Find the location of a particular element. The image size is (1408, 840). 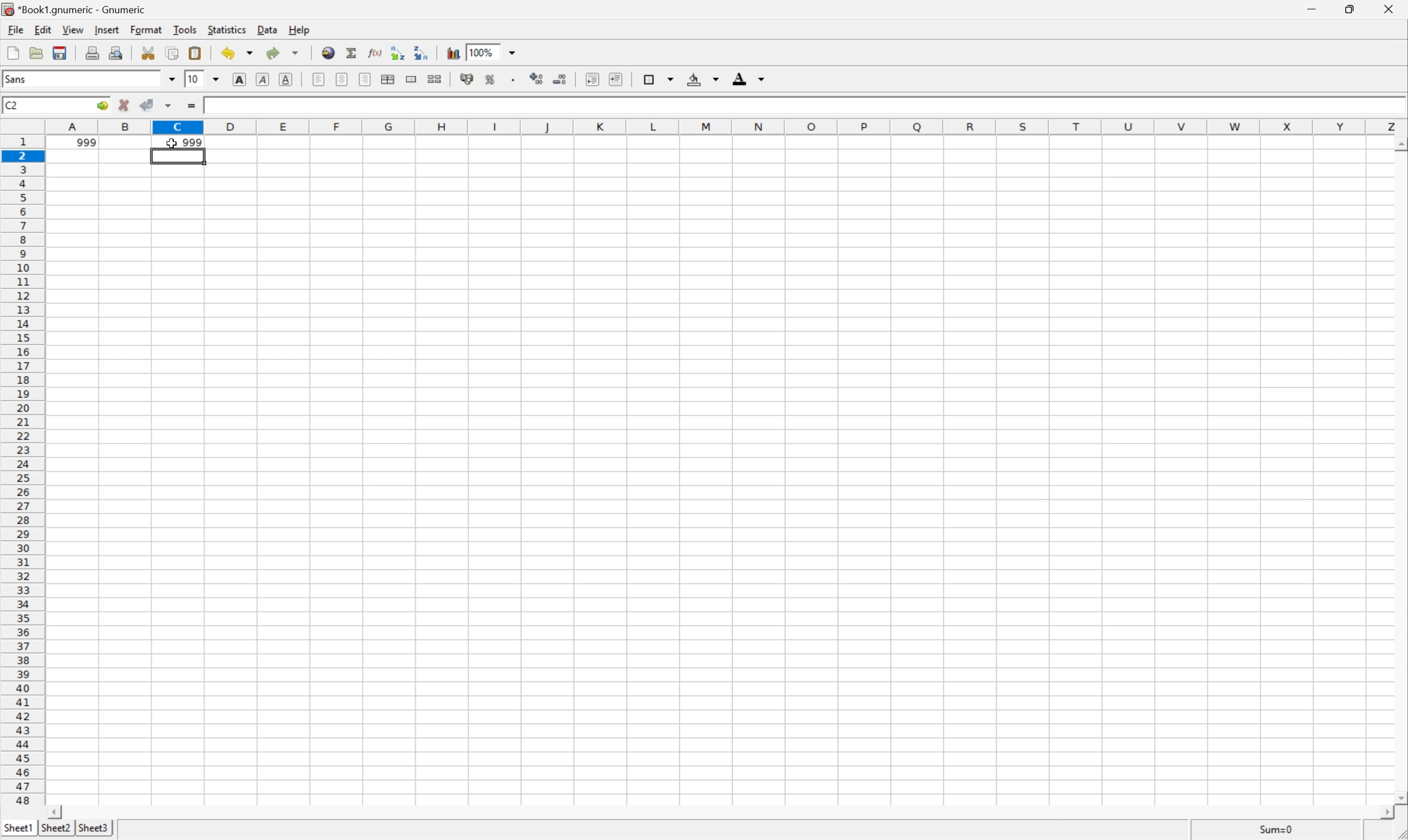

edit is located at coordinates (44, 30).